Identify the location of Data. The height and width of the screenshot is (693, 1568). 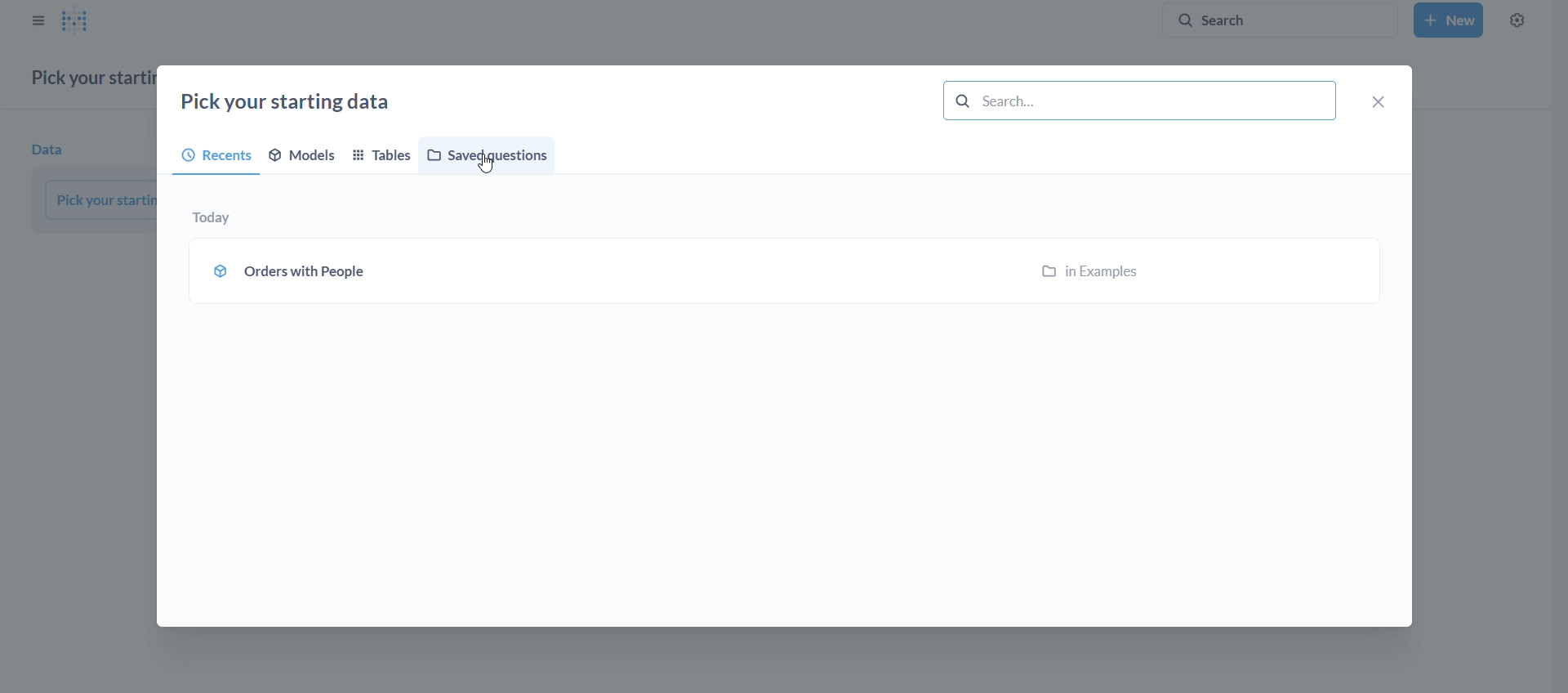
(51, 150).